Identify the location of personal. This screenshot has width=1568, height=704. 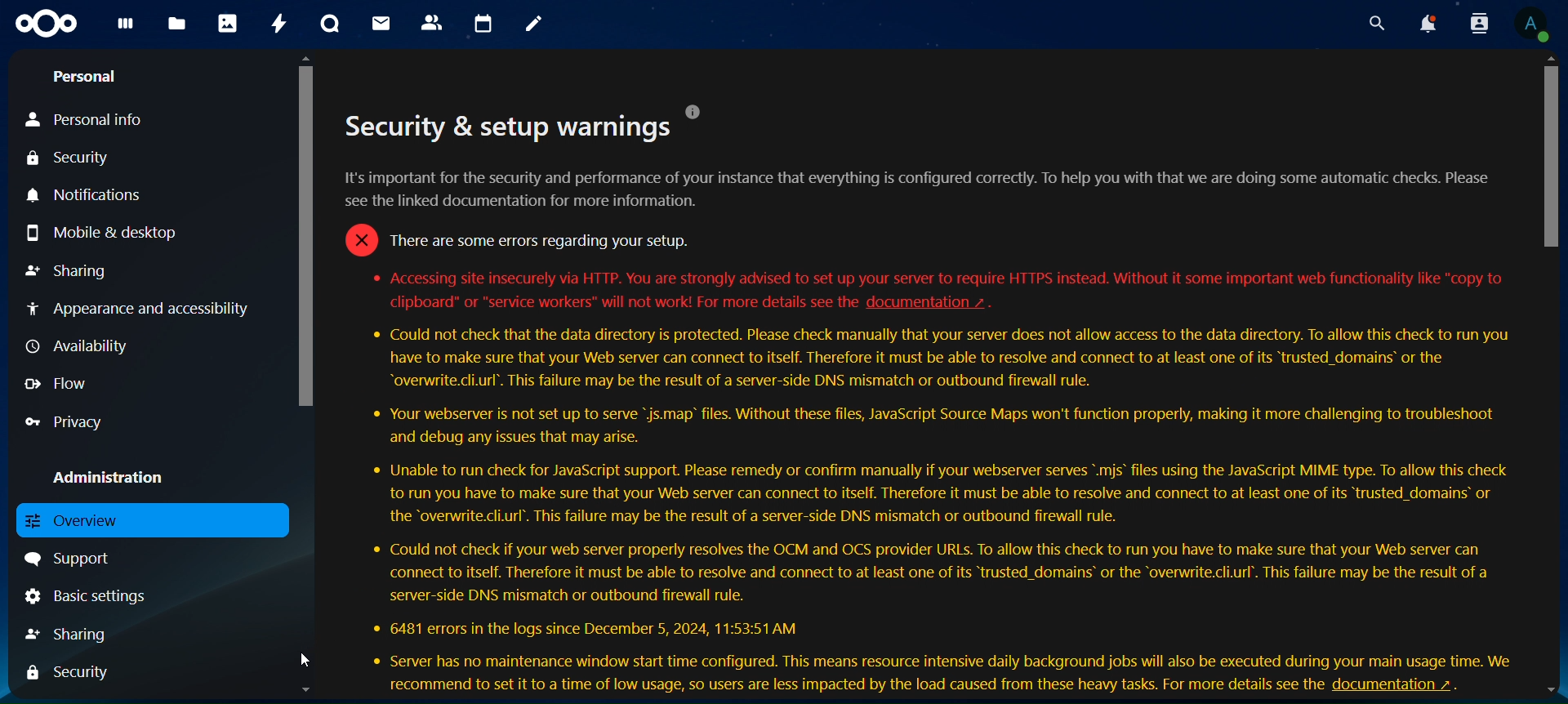
(90, 78).